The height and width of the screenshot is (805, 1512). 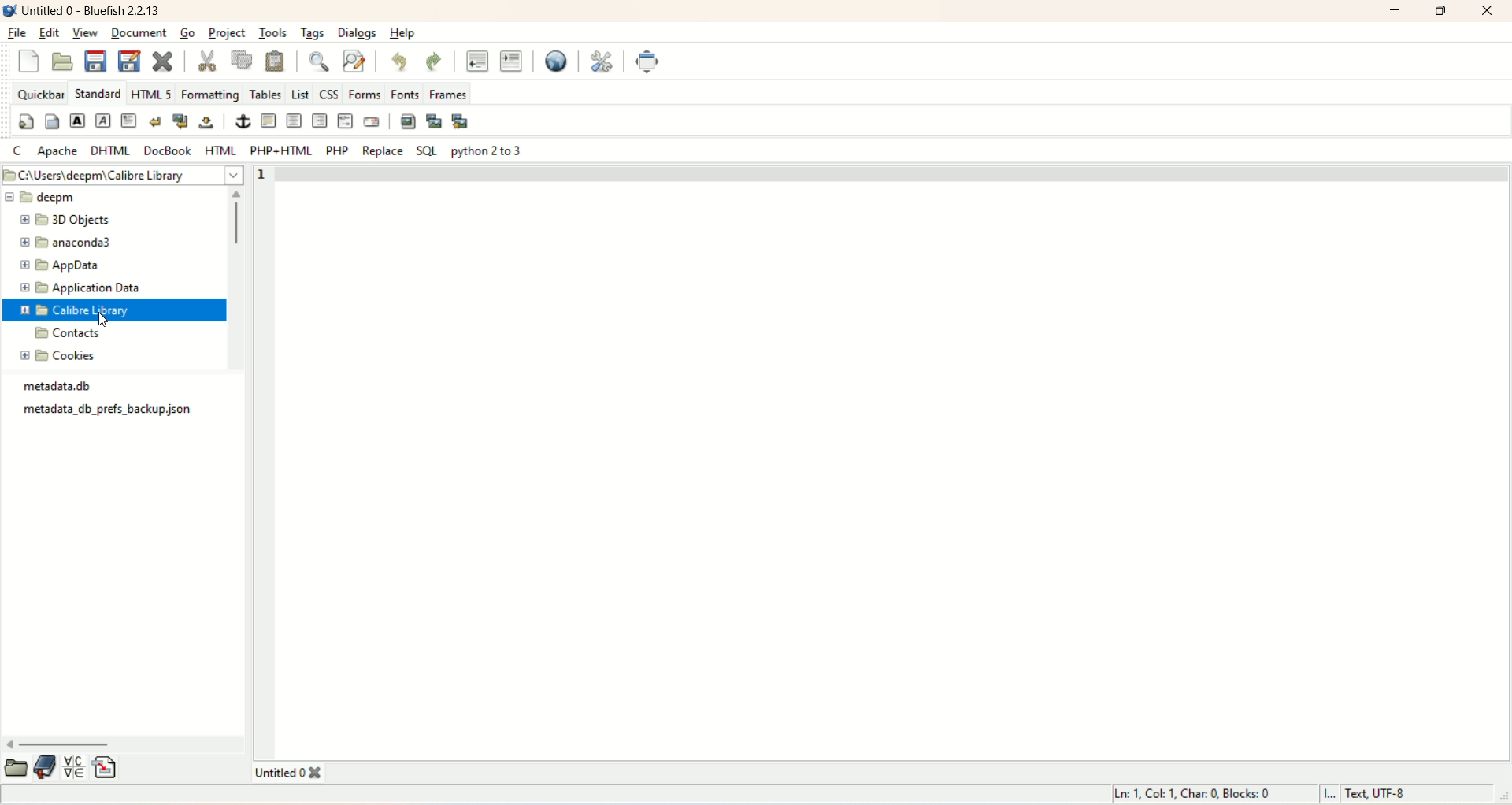 I want to click on non breaking space, so click(x=207, y=124).